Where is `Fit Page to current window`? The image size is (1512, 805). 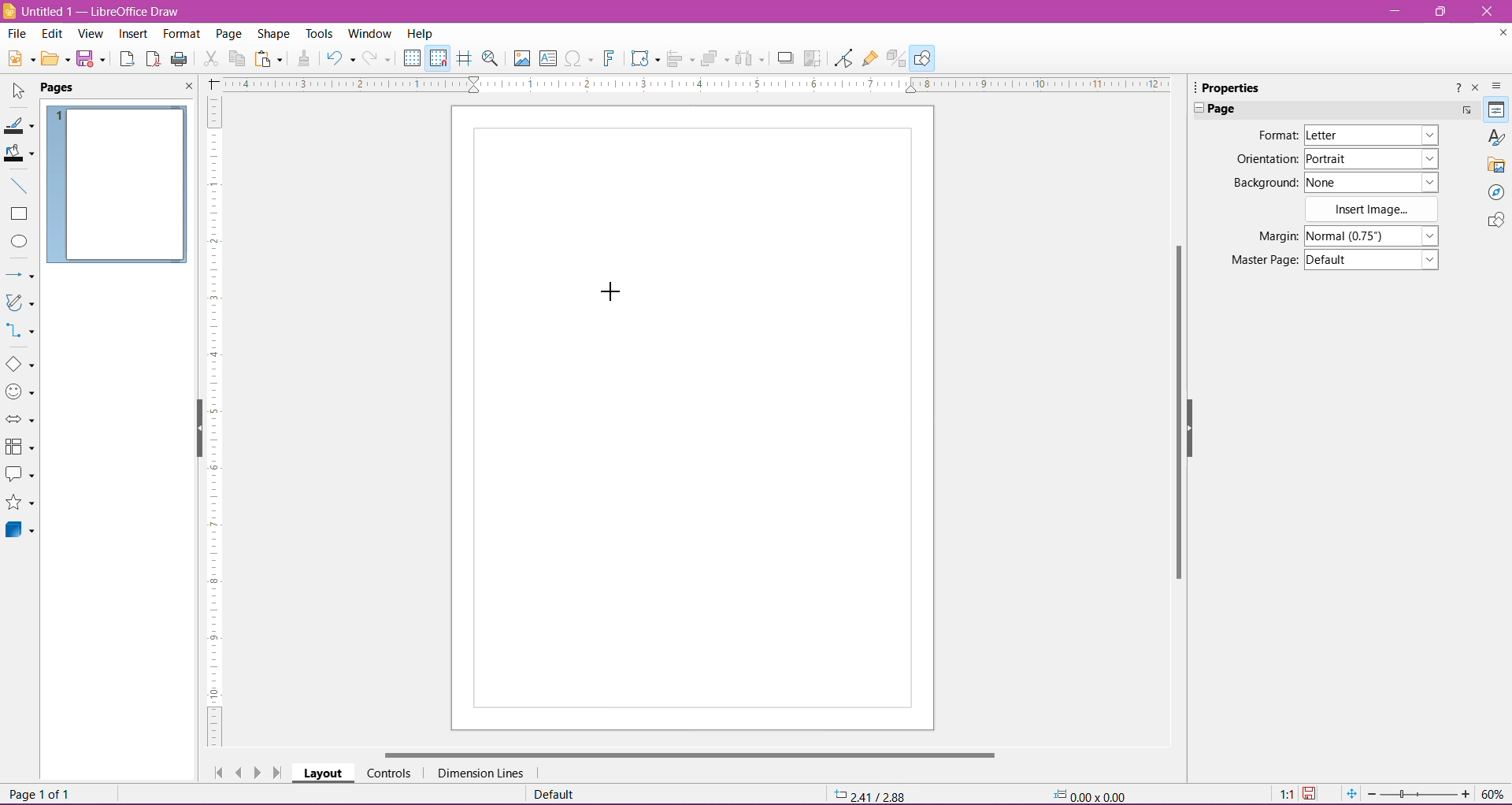 Fit Page to current window is located at coordinates (1351, 794).